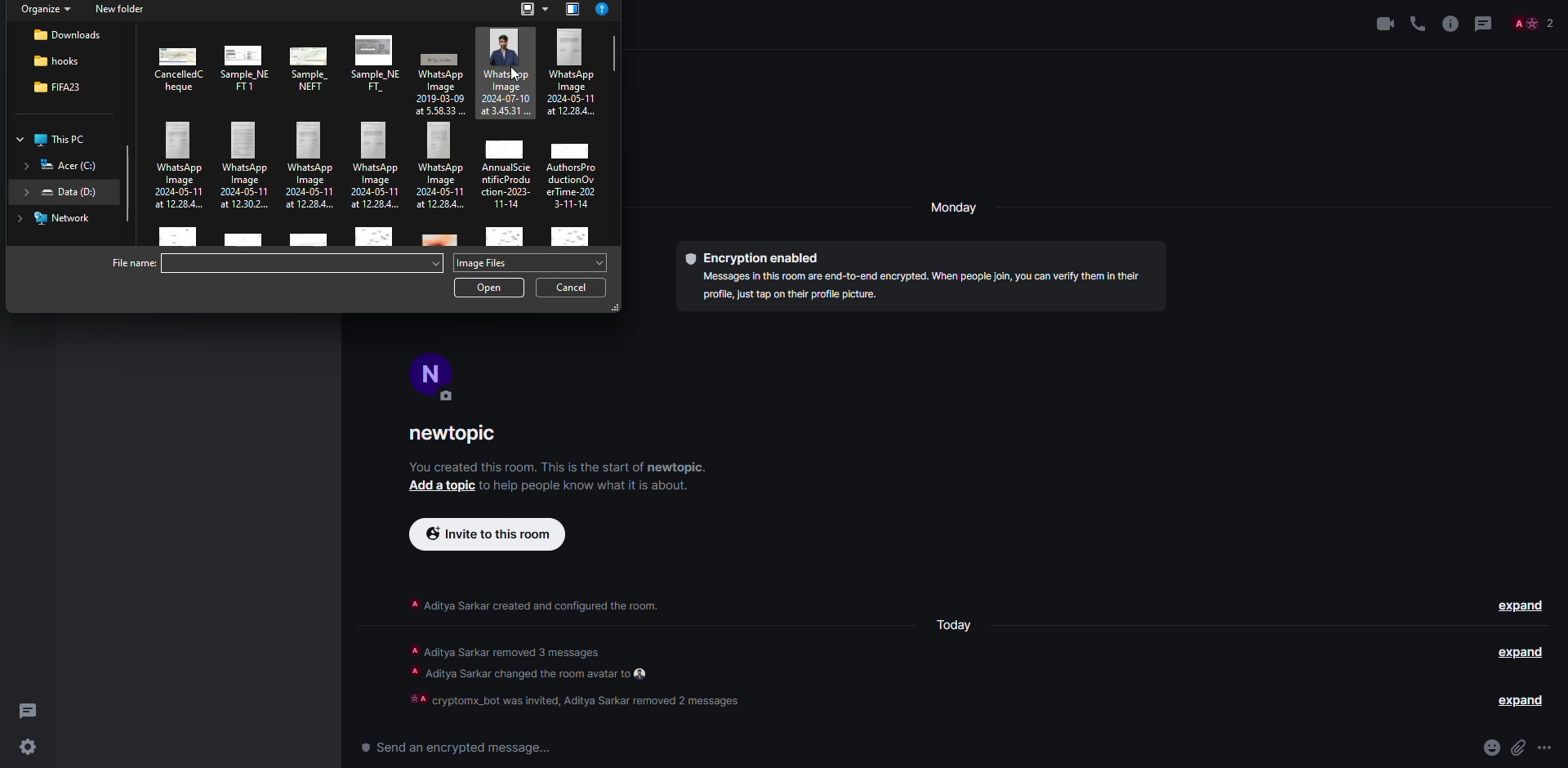 The width and height of the screenshot is (1568, 768). Describe the element at coordinates (1521, 605) in the screenshot. I see `expand` at that location.